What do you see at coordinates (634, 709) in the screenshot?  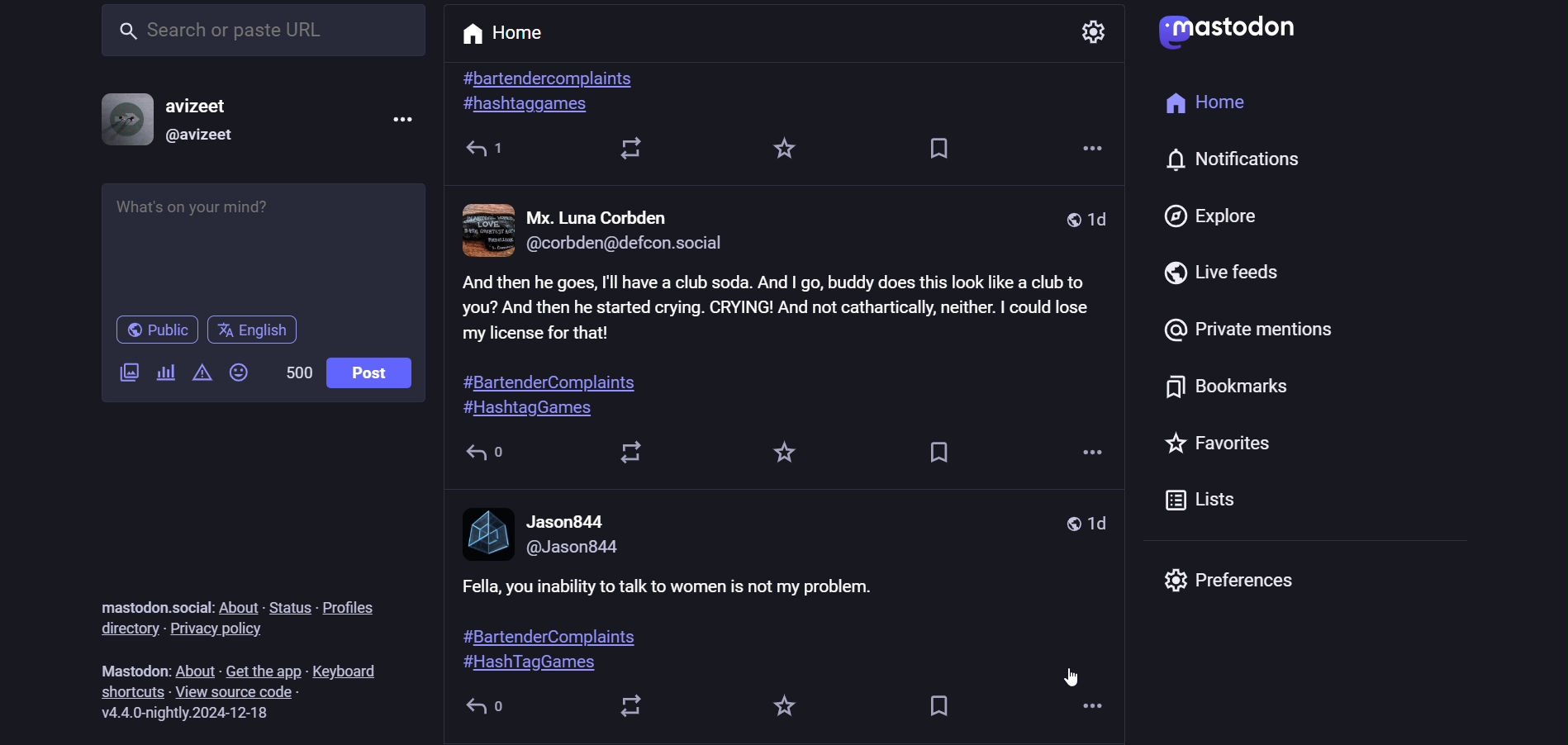 I see `boost` at bounding box center [634, 709].